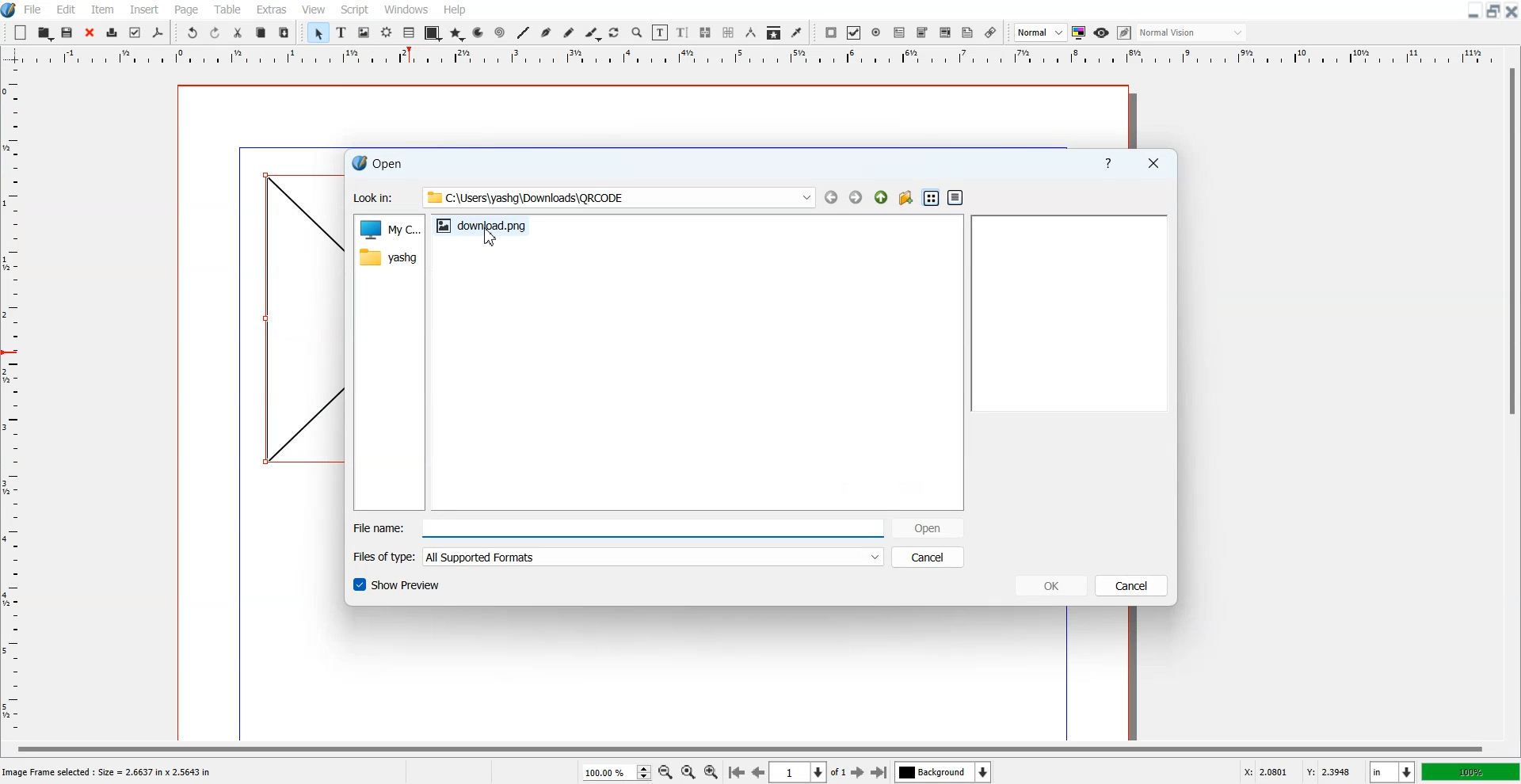 The image size is (1521, 784). What do you see at coordinates (90, 32) in the screenshot?
I see `Close` at bounding box center [90, 32].